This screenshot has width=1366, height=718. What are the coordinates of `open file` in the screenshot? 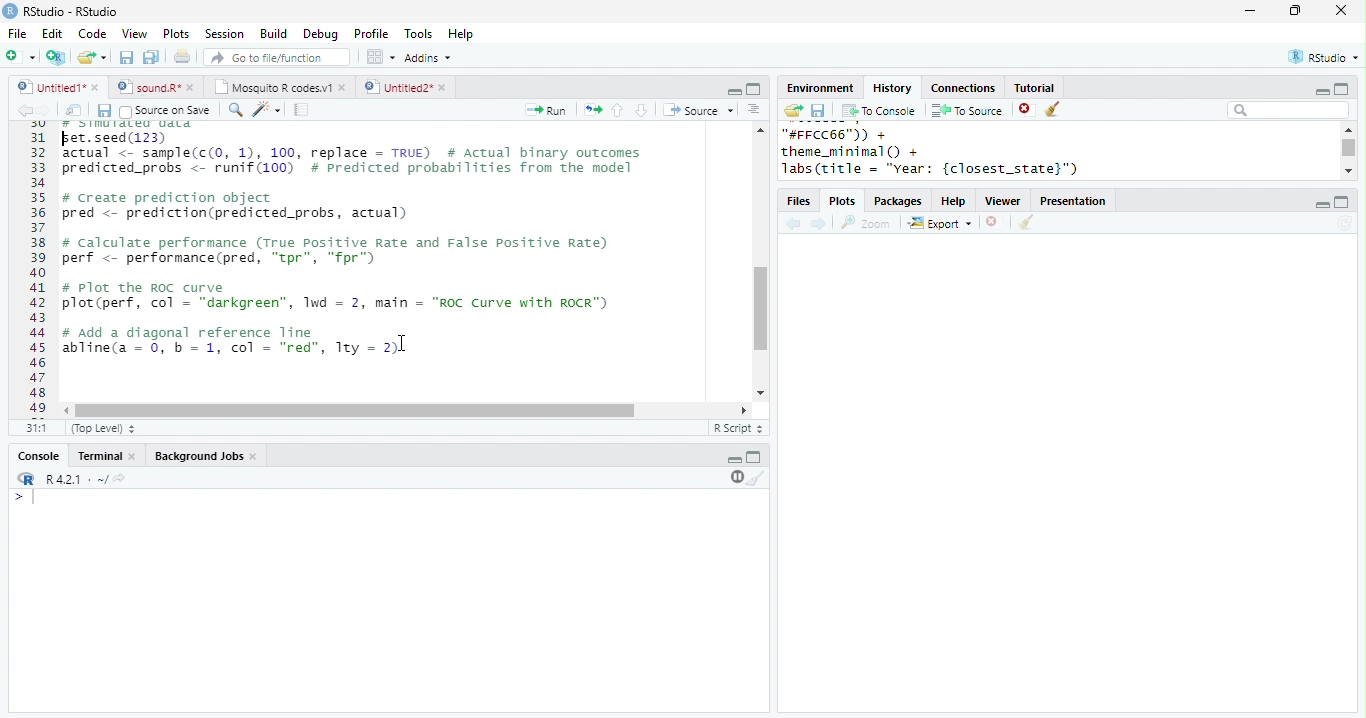 It's located at (92, 57).